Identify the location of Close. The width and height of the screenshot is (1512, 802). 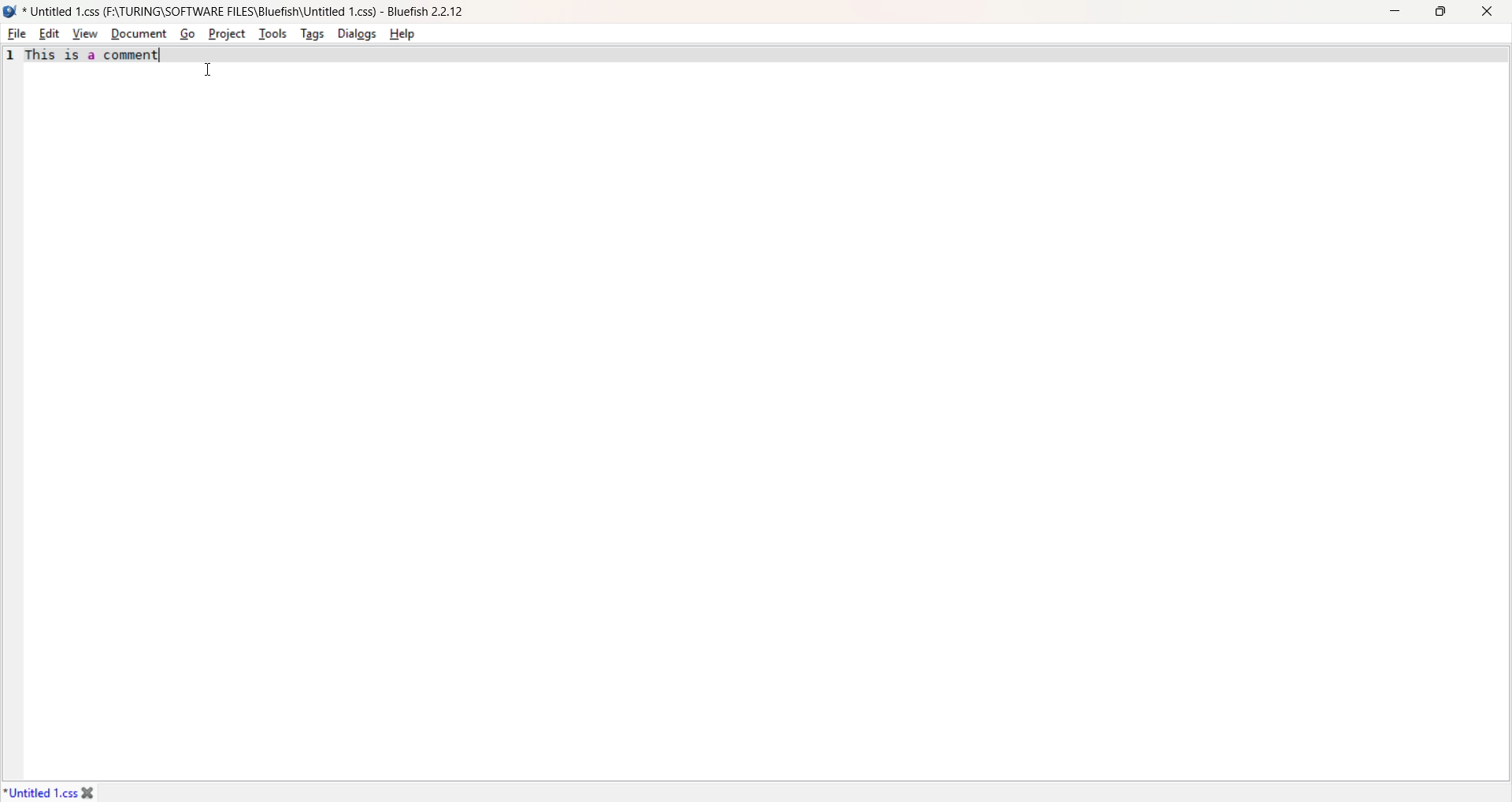
(1491, 13).